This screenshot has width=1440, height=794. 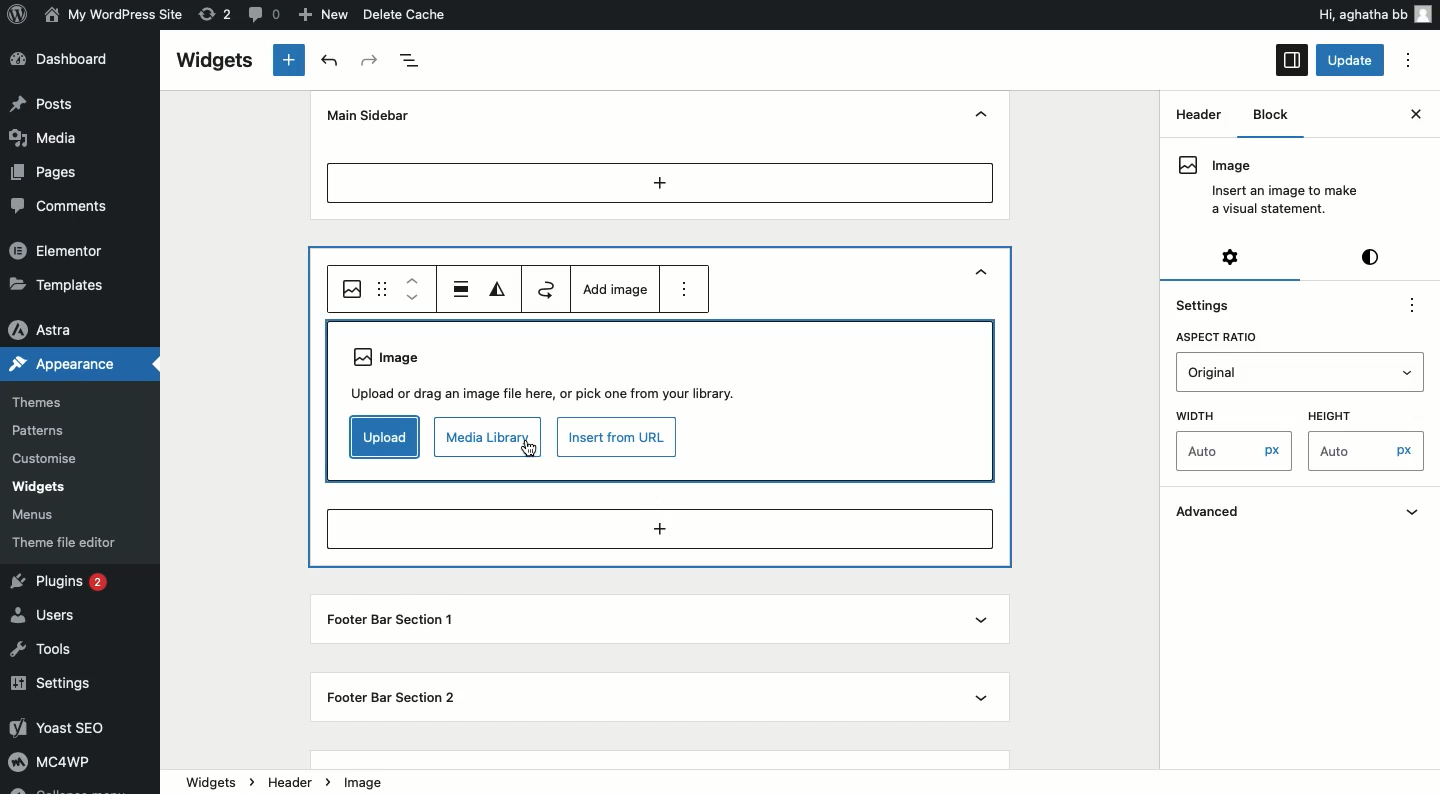 I want to click on Settings, so click(x=1214, y=303).